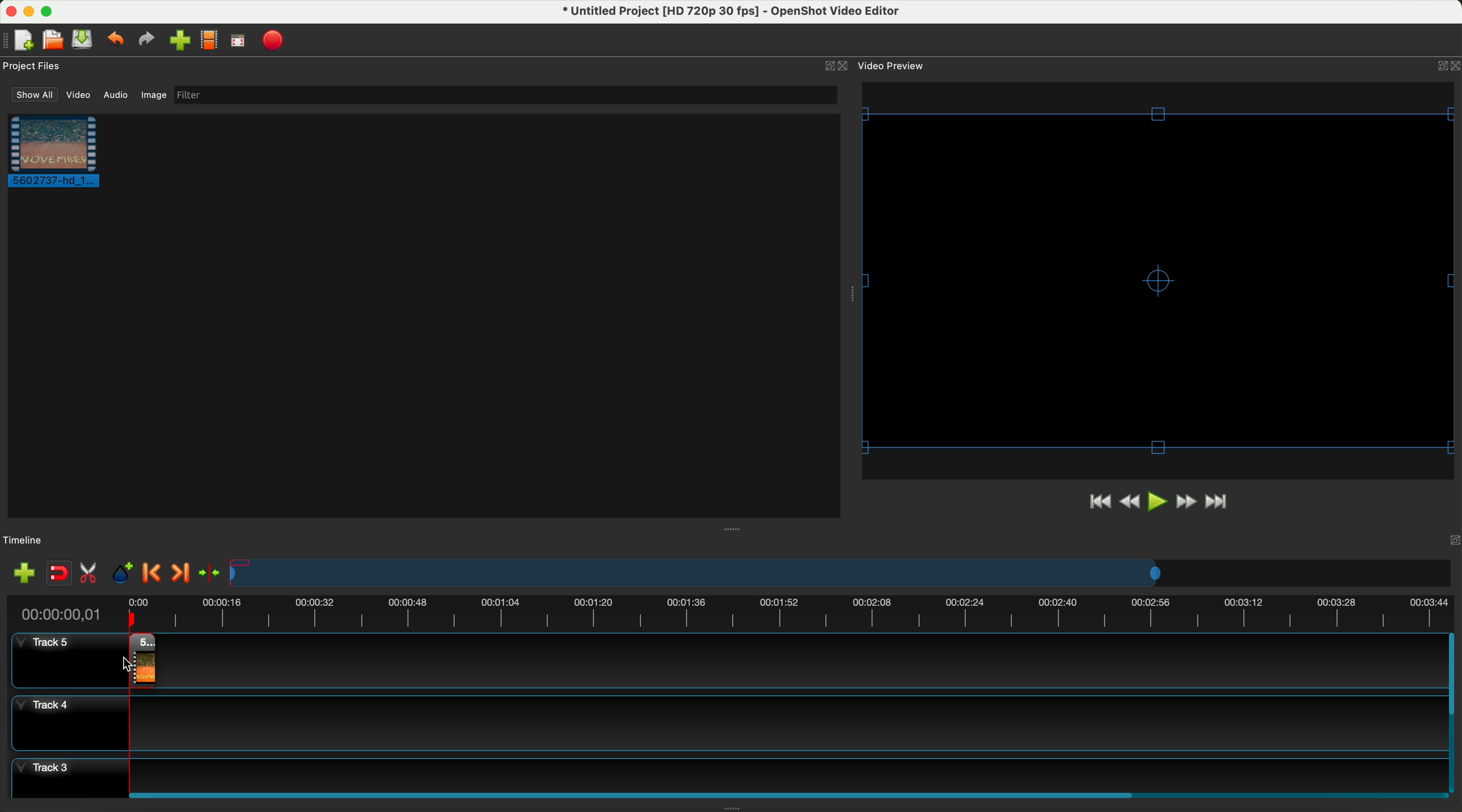  I want to click on jump to start, so click(1098, 503).